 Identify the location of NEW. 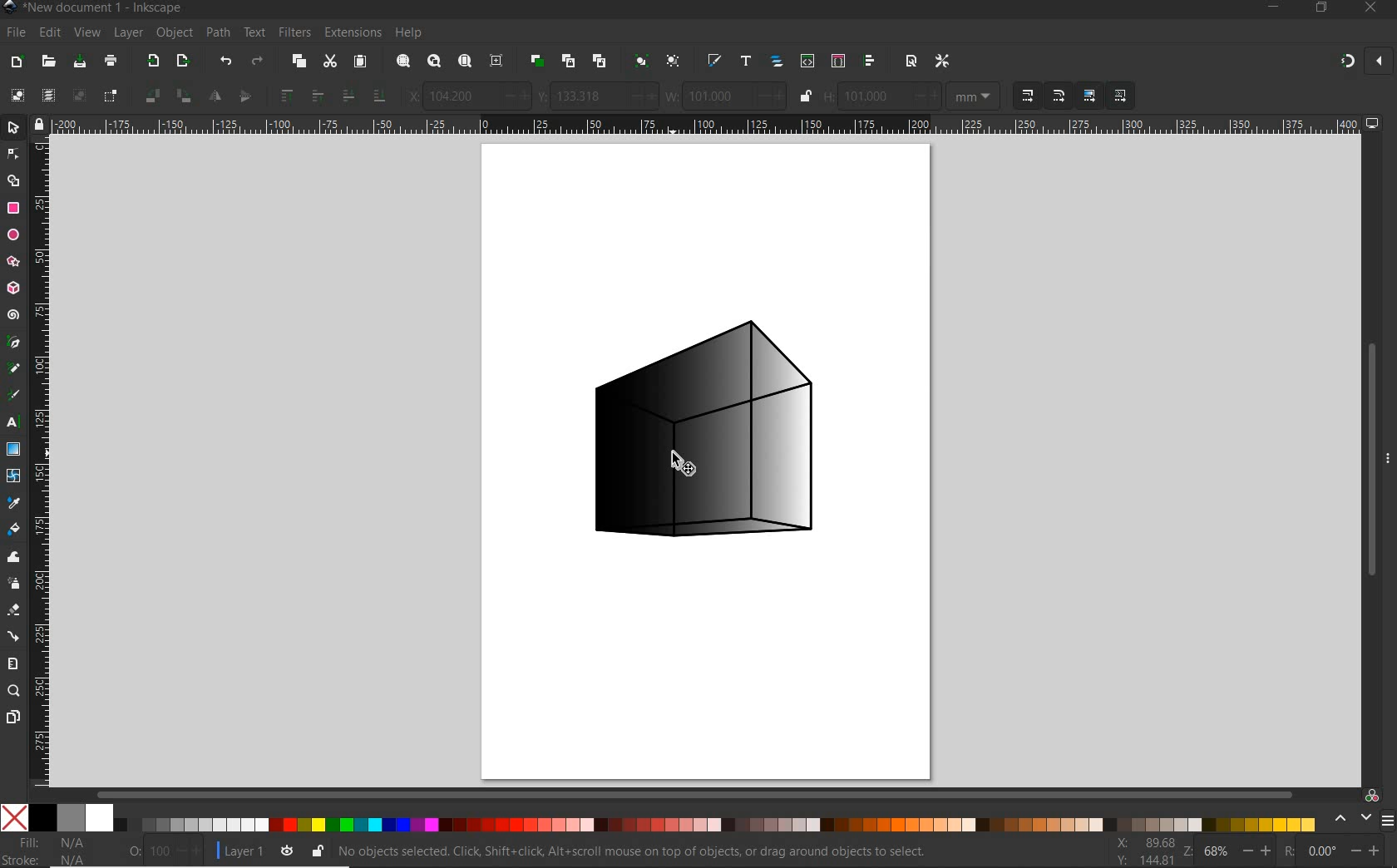
(14, 62).